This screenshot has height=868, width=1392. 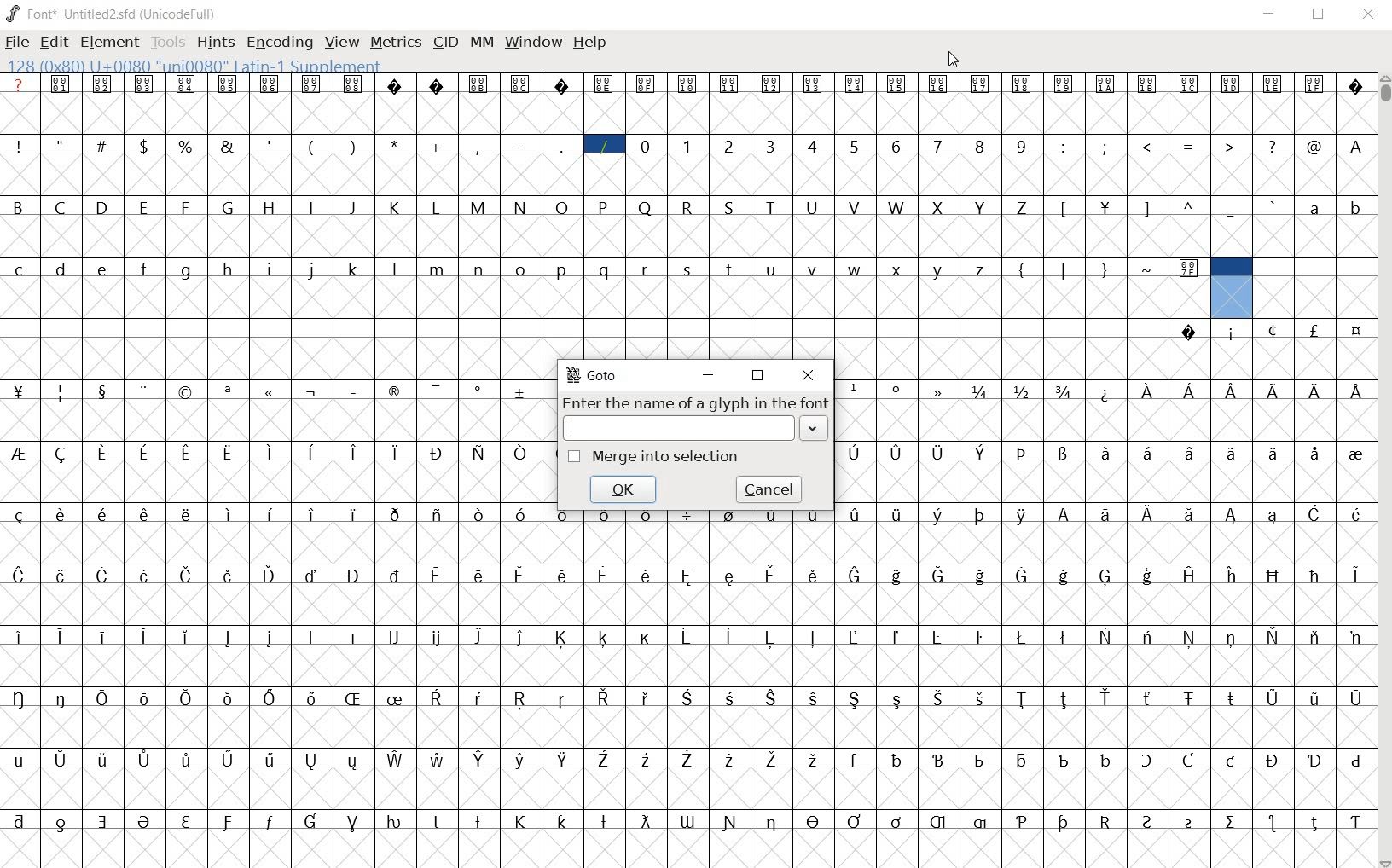 I want to click on Symbol, so click(x=732, y=574).